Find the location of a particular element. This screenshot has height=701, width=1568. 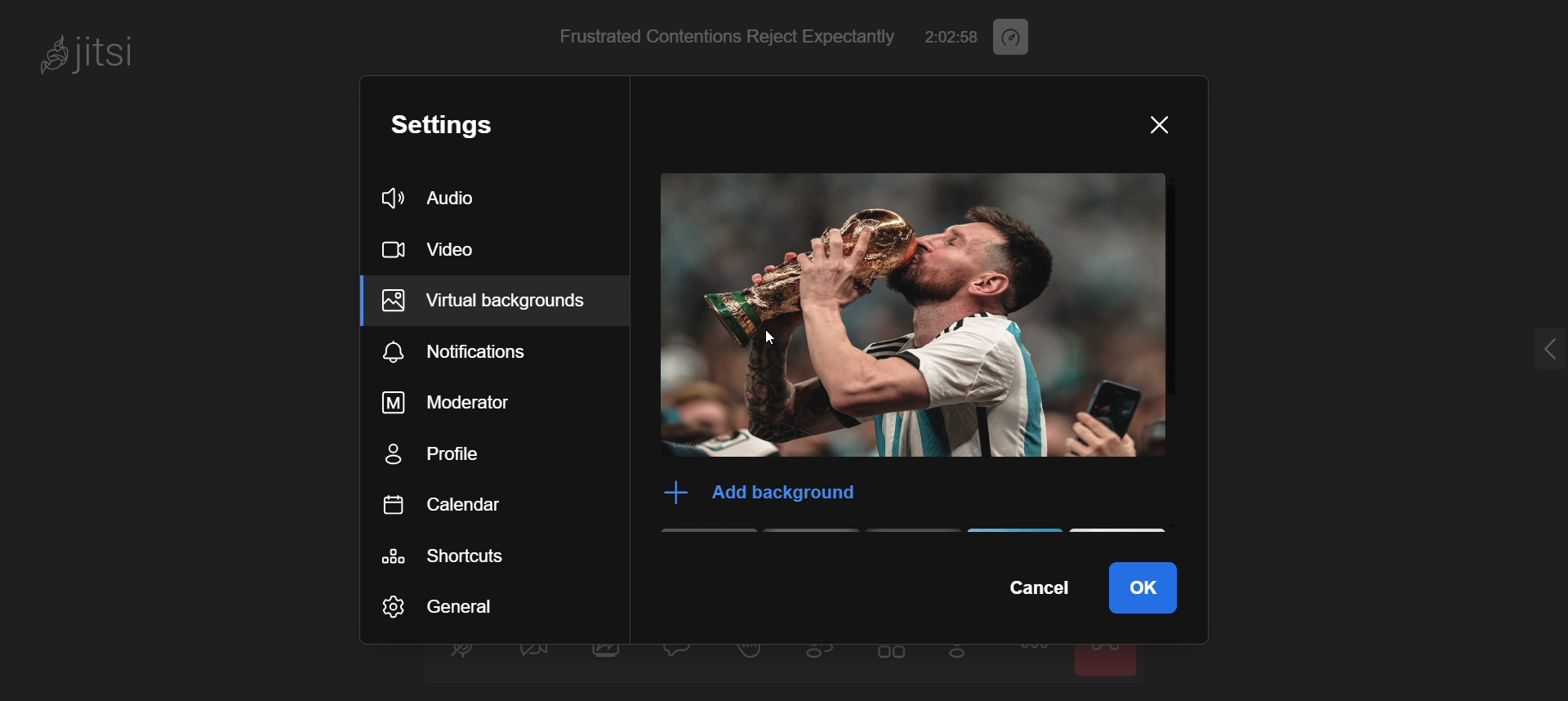

Jitsi is located at coordinates (96, 53).